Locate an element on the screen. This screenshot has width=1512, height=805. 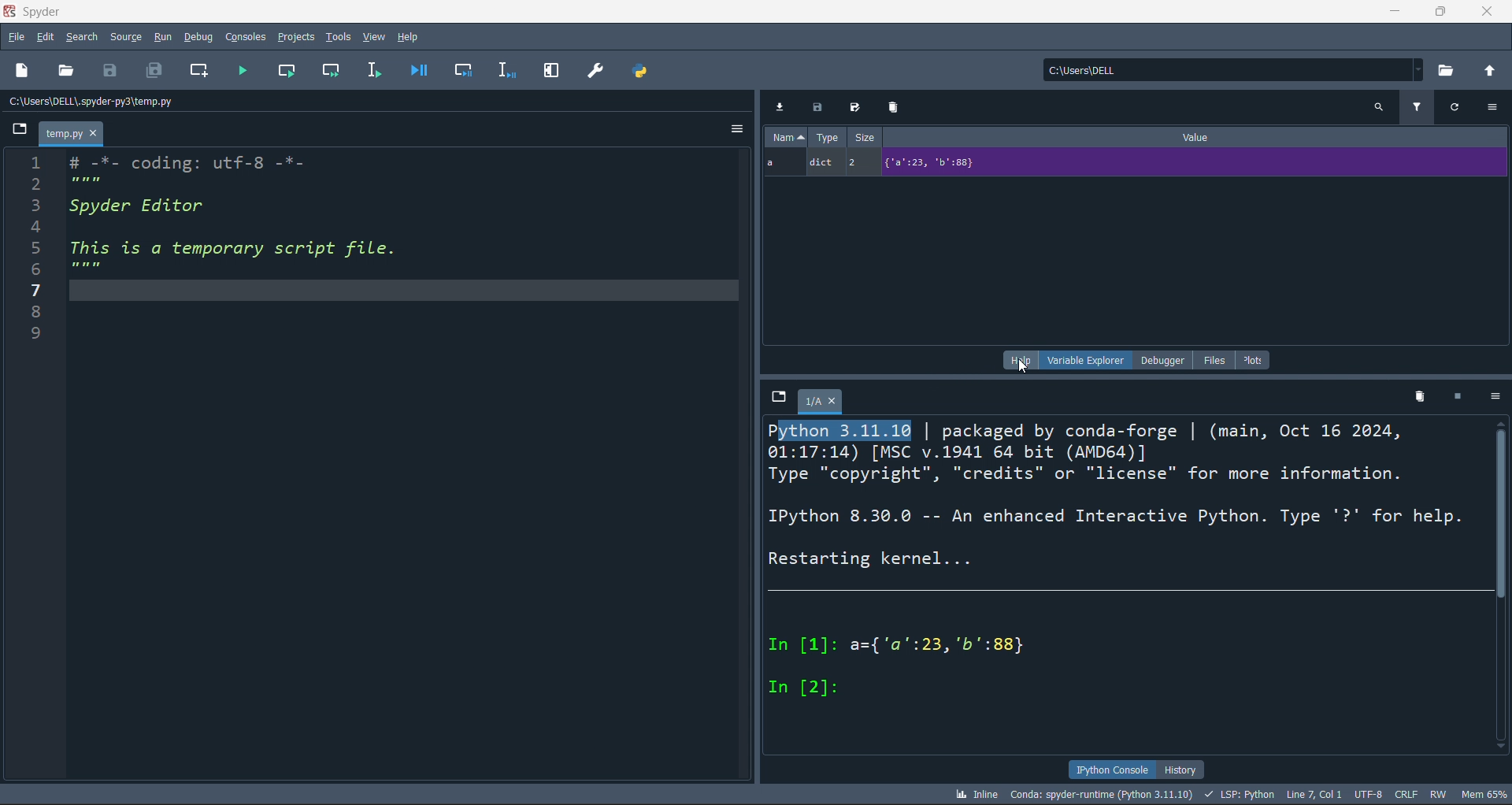
run cell and move is located at coordinates (331, 69).